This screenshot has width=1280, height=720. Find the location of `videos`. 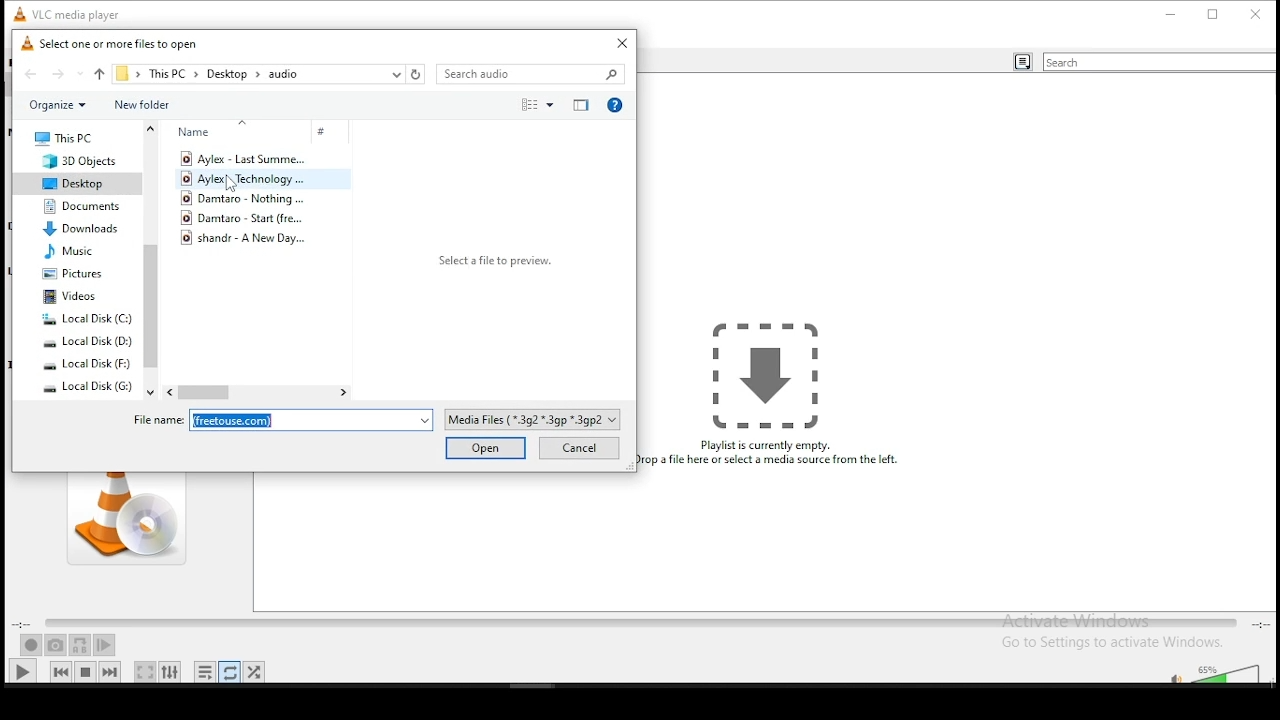

videos is located at coordinates (72, 297).